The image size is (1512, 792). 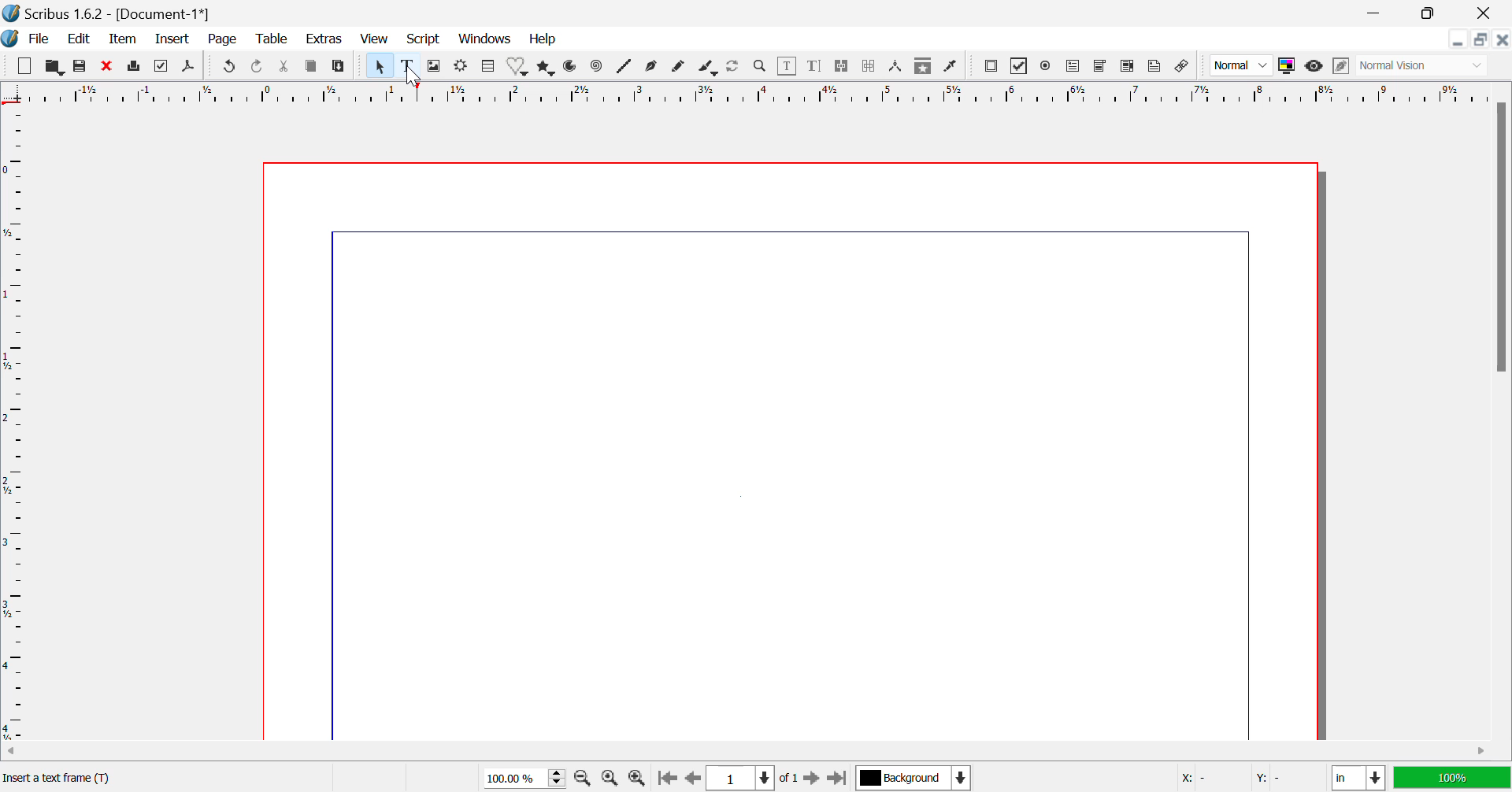 I want to click on Image Frame, so click(x=435, y=66).